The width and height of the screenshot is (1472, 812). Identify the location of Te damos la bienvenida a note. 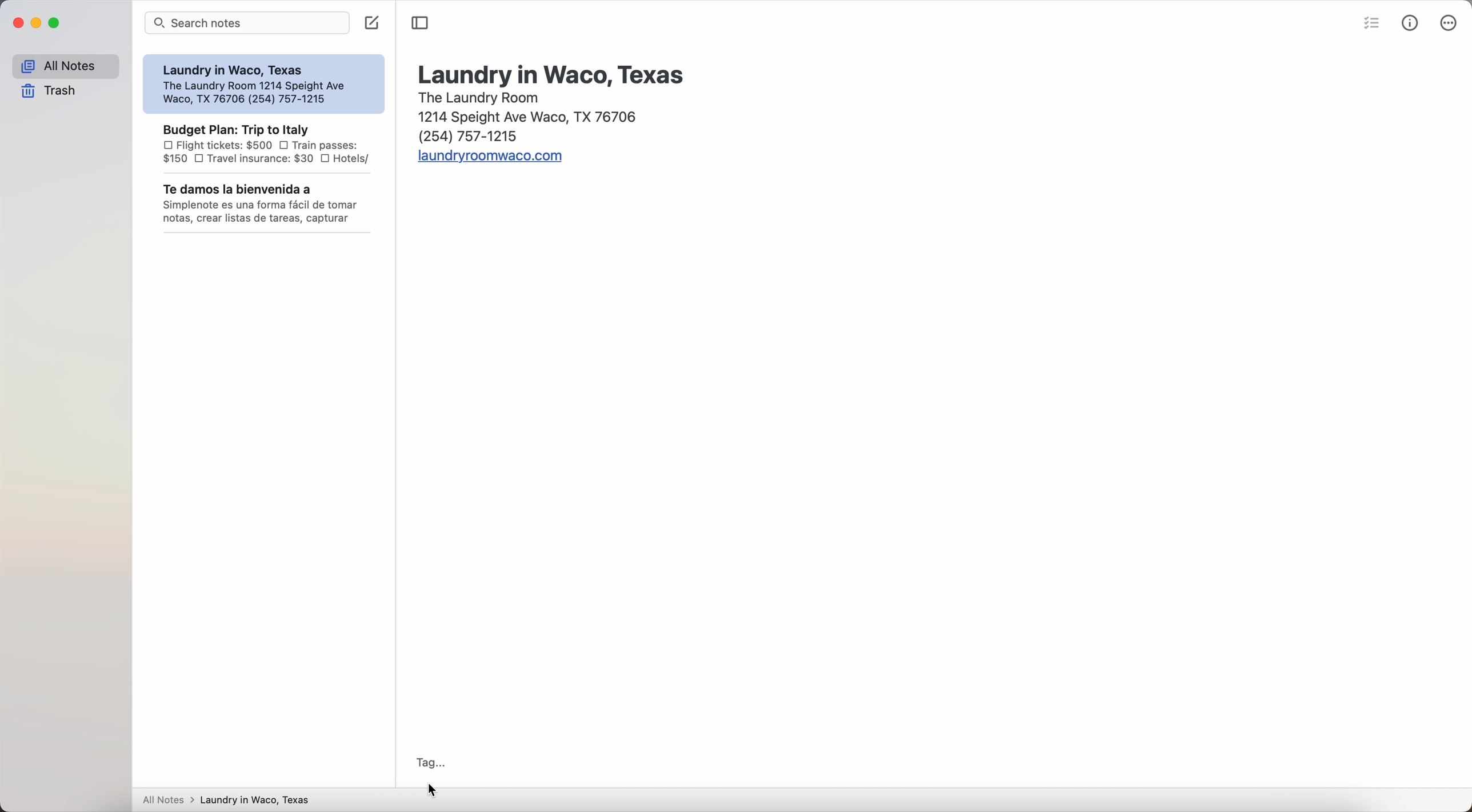
(266, 204).